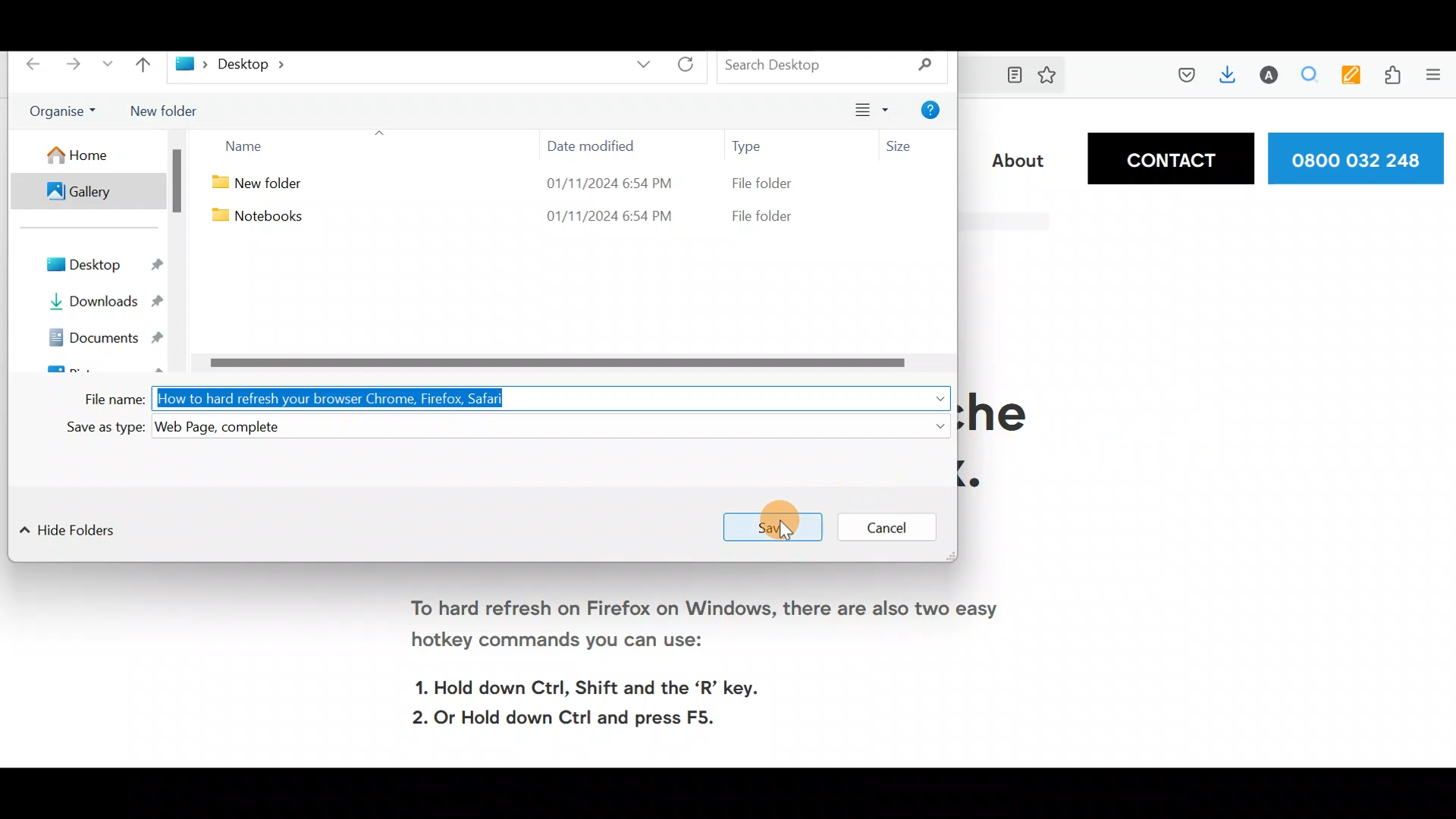  What do you see at coordinates (701, 628) in the screenshot?
I see `To hard refresh on Firefox on Windows, there are also two easy
hotkey commands you can use:` at bounding box center [701, 628].